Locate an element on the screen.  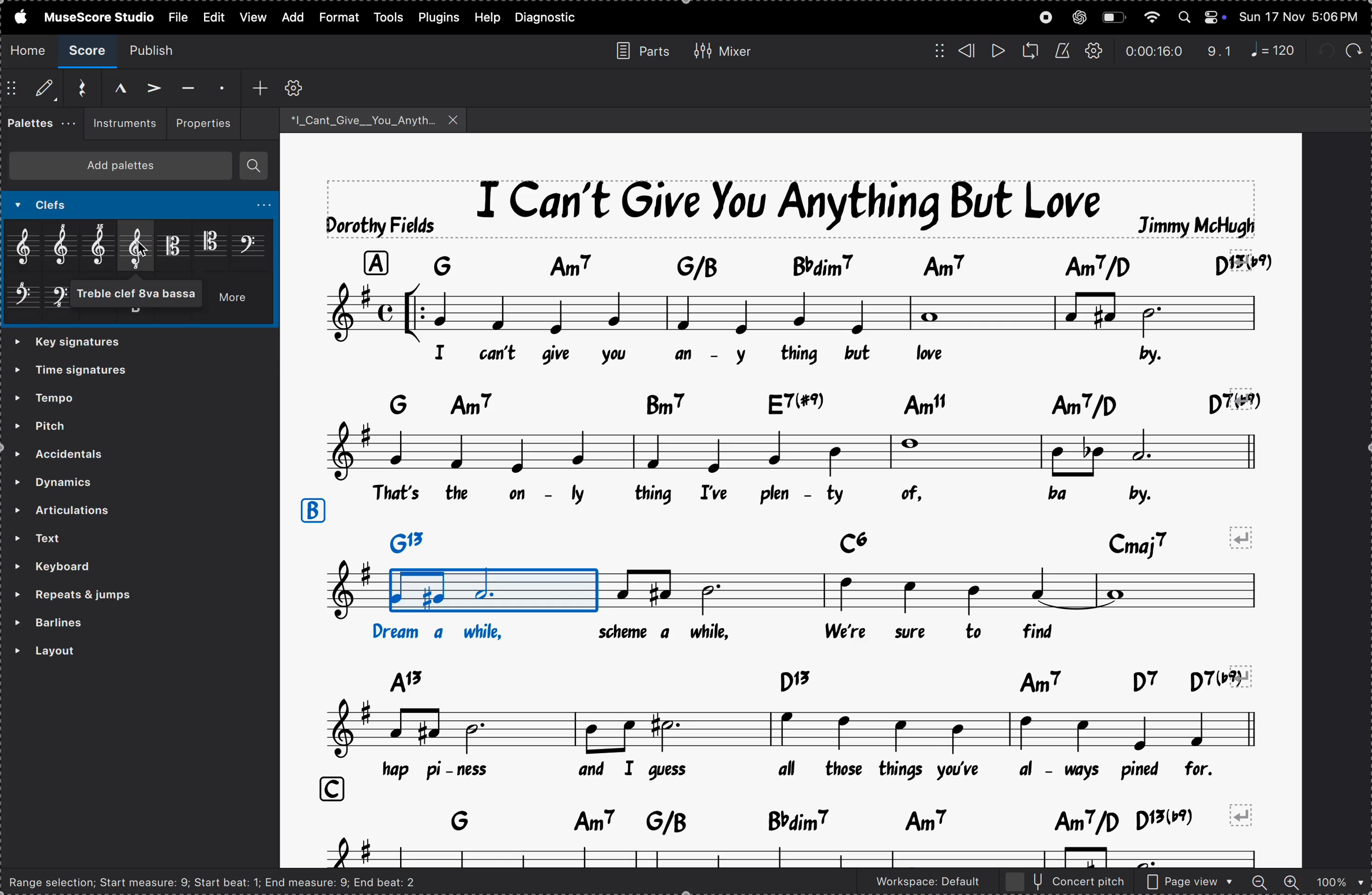
Pallates is located at coordinates (39, 125).